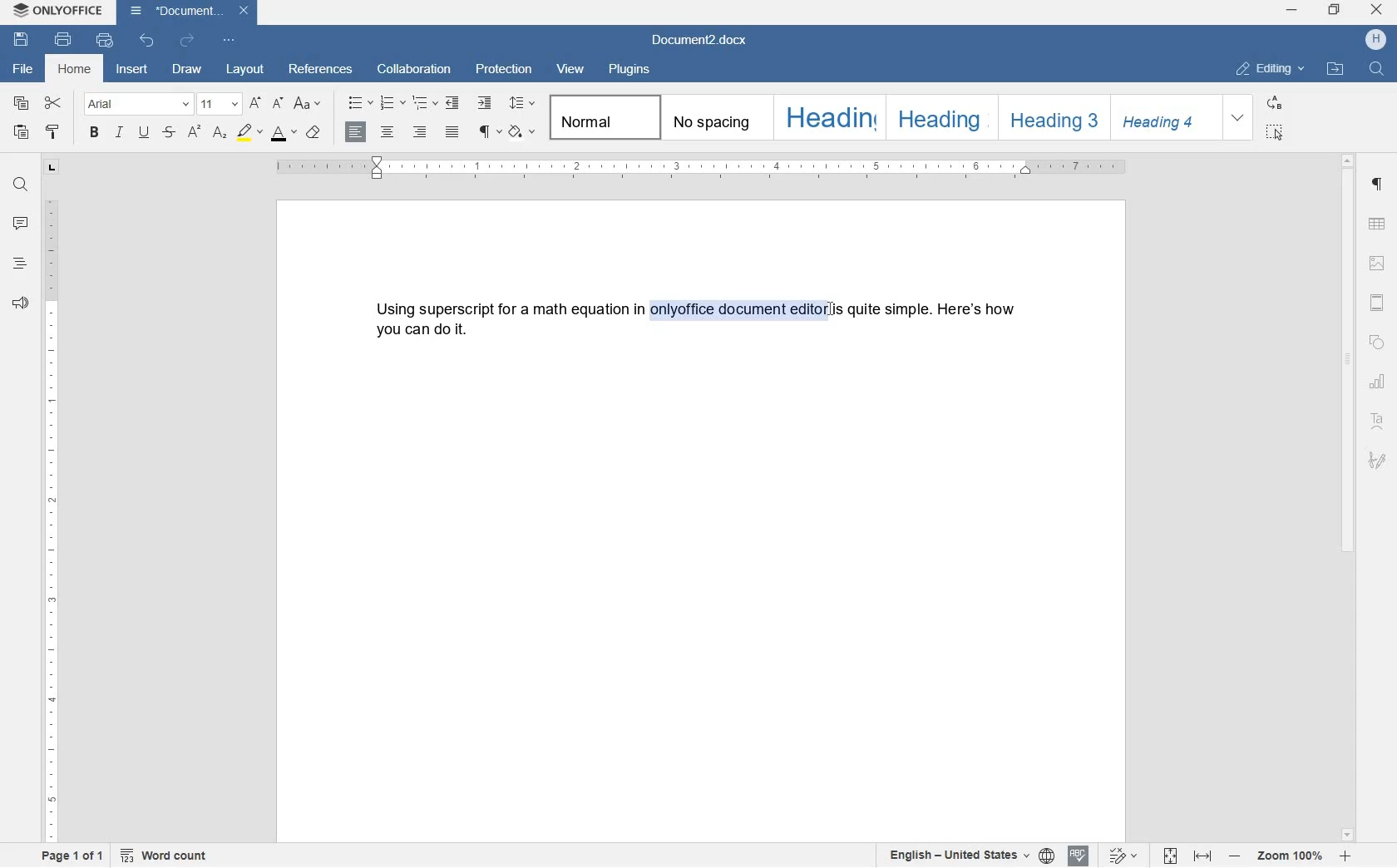 The height and width of the screenshot is (868, 1397). Describe the element at coordinates (702, 320) in the screenshot. I see `Using superscript for a math equation in onlyoffice document editor is quite simple. Here's how you can do it` at that location.